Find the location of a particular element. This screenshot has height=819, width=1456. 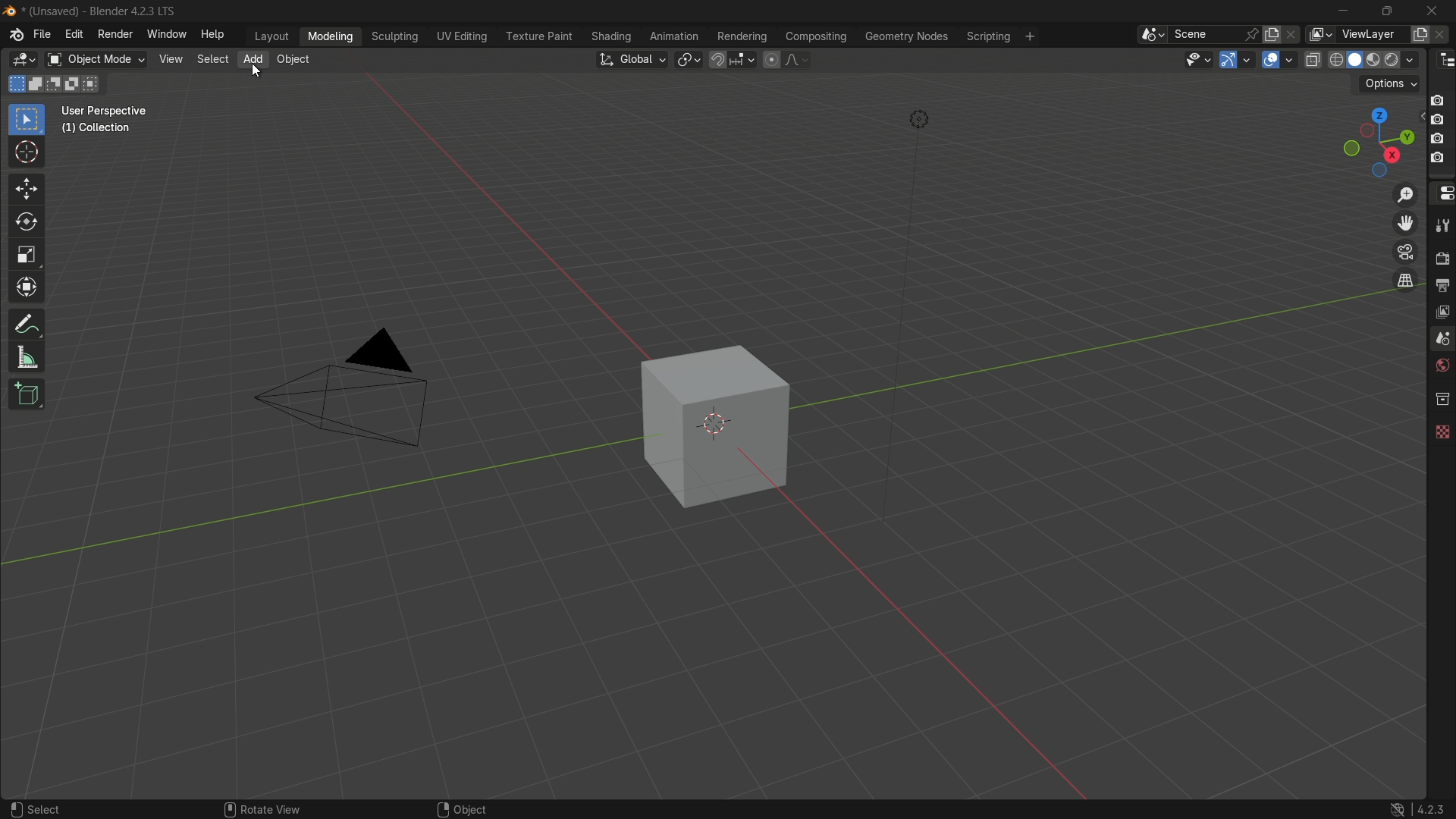

switch the current view is located at coordinates (1404, 280).